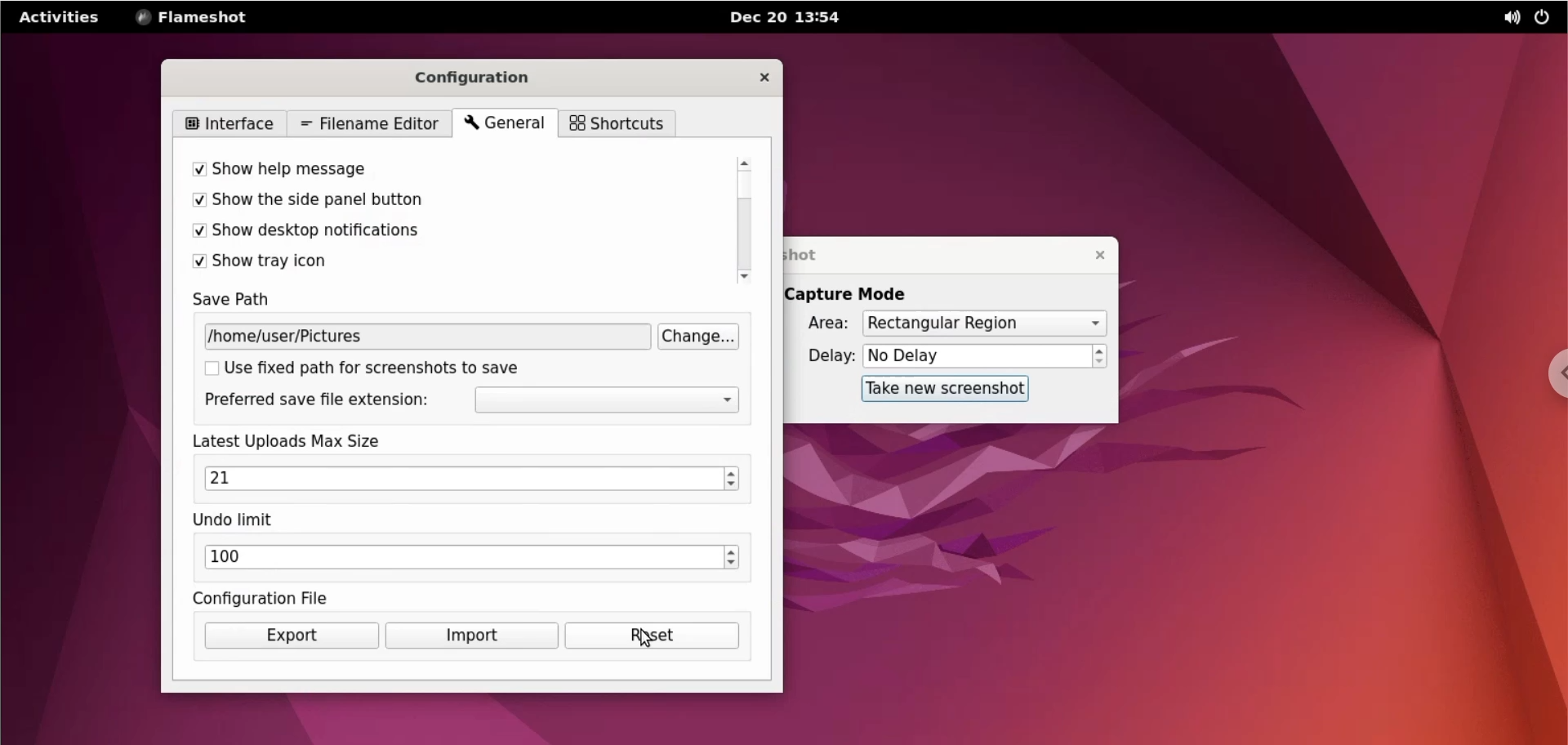 The height and width of the screenshot is (745, 1568). What do you see at coordinates (506, 124) in the screenshot?
I see `general` at bounding box center [506, 124].